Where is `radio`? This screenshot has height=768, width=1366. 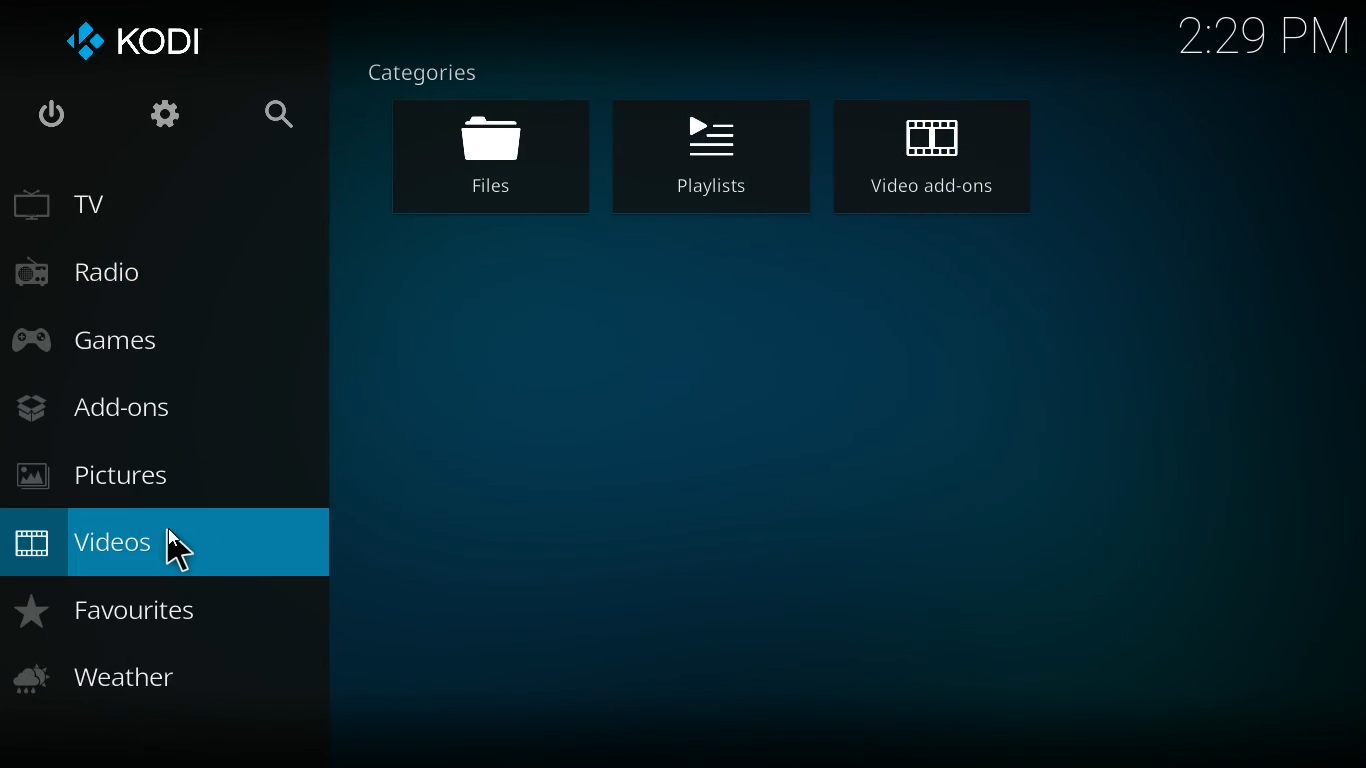
radio is located at coordinates (156, 275).